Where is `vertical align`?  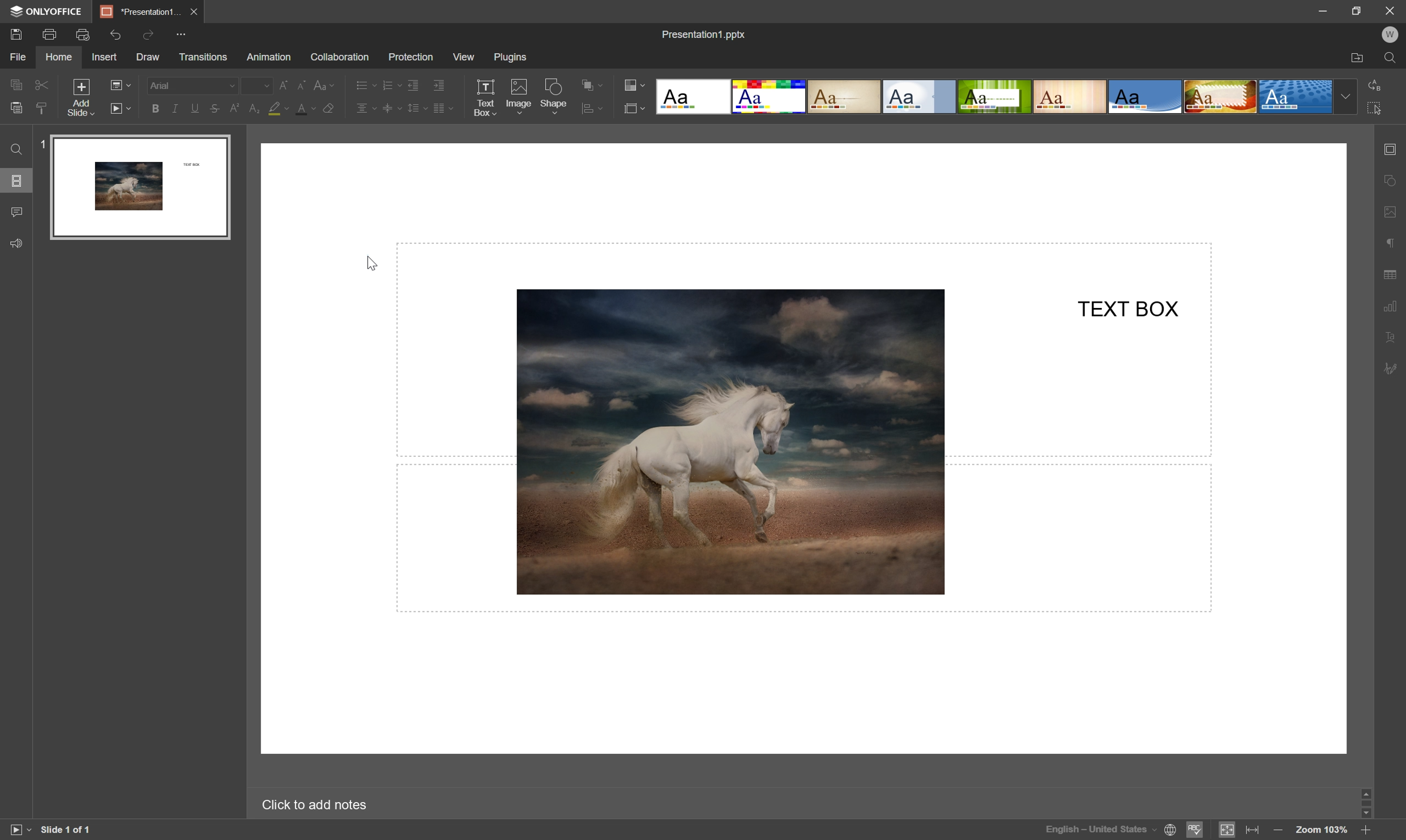
vertical align is located at coordinates (392, 108).